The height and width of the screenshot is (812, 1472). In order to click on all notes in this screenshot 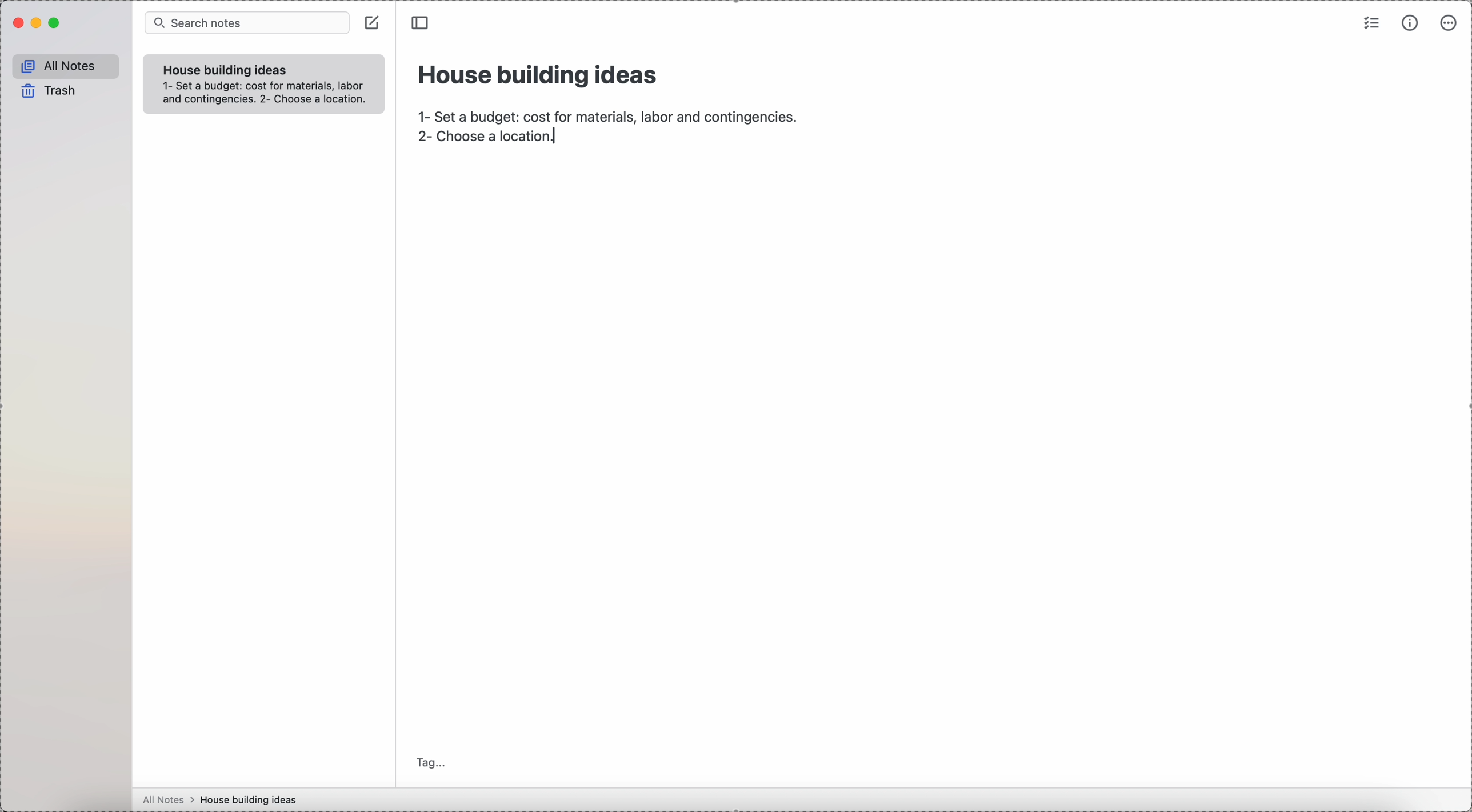, I will do `click(66, 66)`.